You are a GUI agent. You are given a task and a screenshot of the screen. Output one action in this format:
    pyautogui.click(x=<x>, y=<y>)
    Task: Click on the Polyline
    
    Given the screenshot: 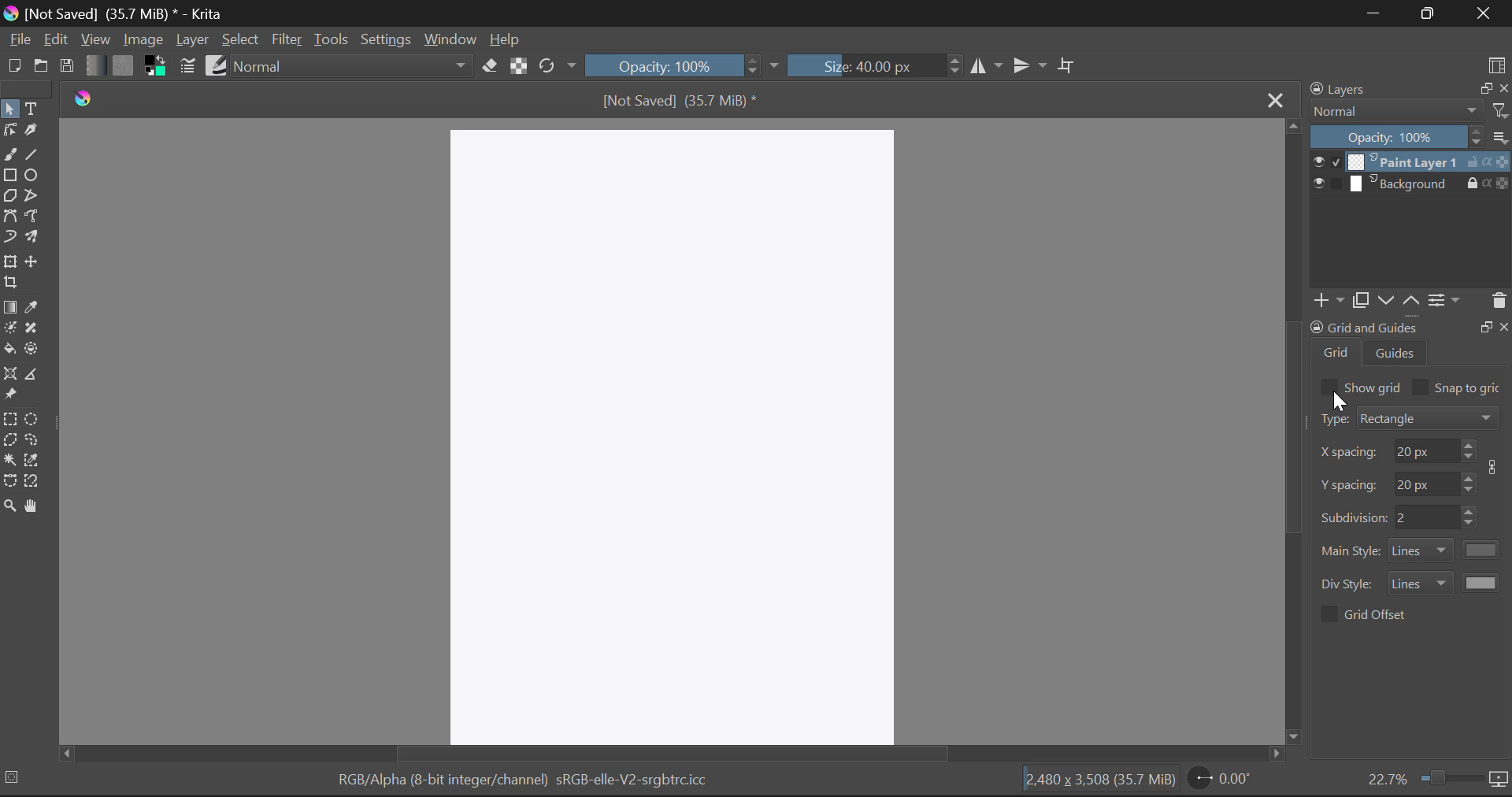 What is the action you would take?
    pyautogui.click(x=37, y=197)
    